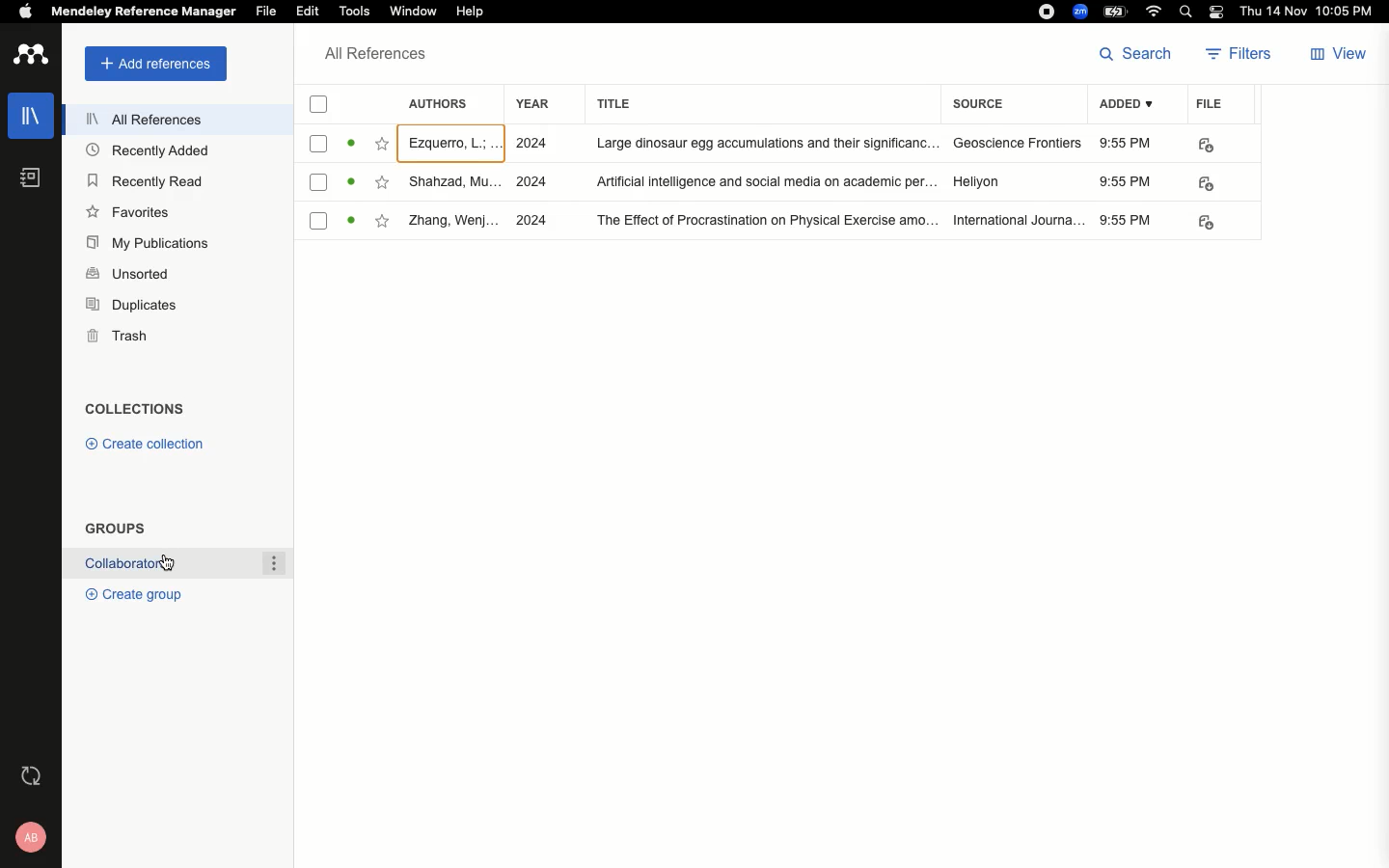  What do you see at coordinates (1018, 143) in the screenshot?
I see `Geoscience frontiers` at bounding box center [1018, 143].